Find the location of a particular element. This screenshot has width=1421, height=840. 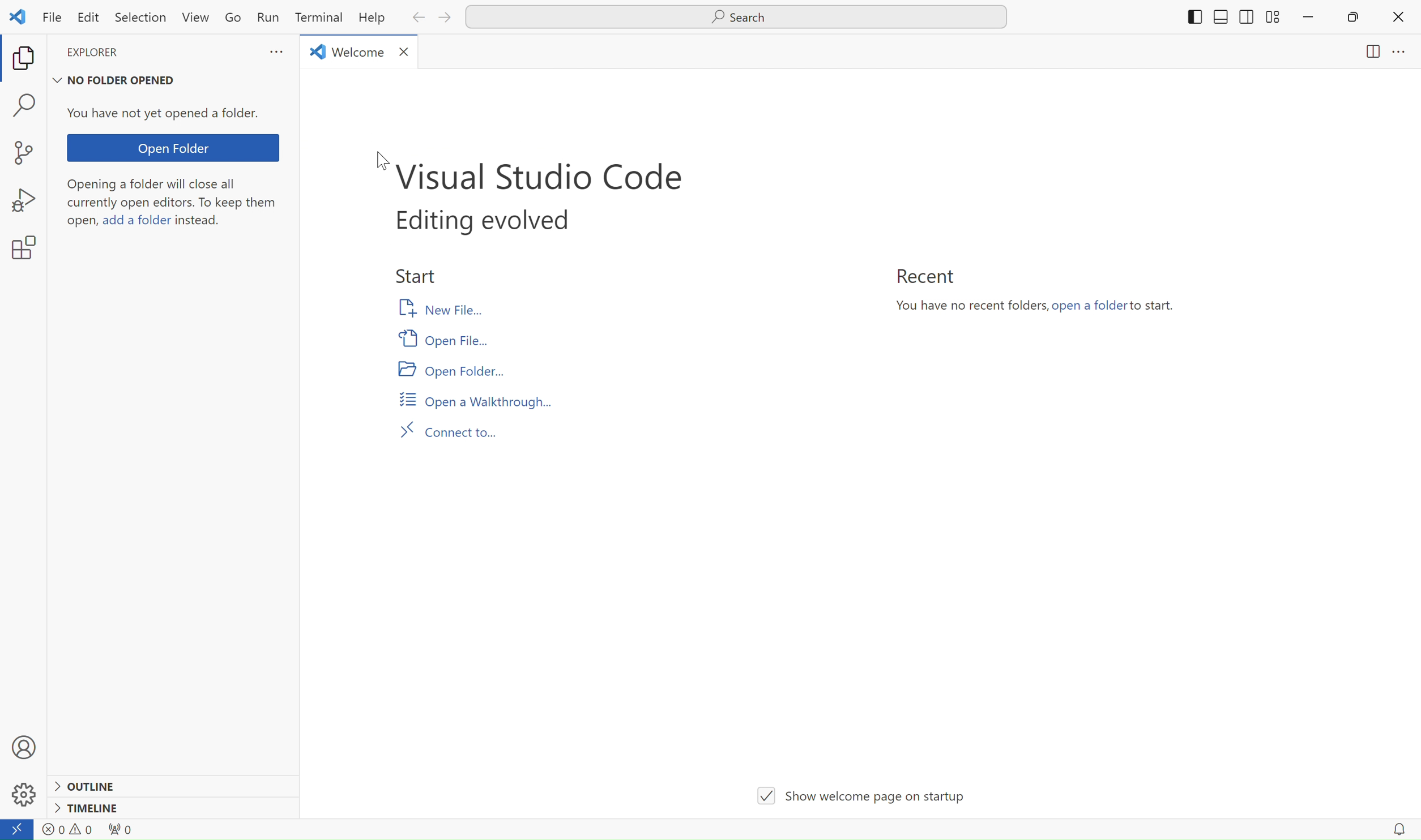

Open a walkthrough is located at coordinates (476, 397).